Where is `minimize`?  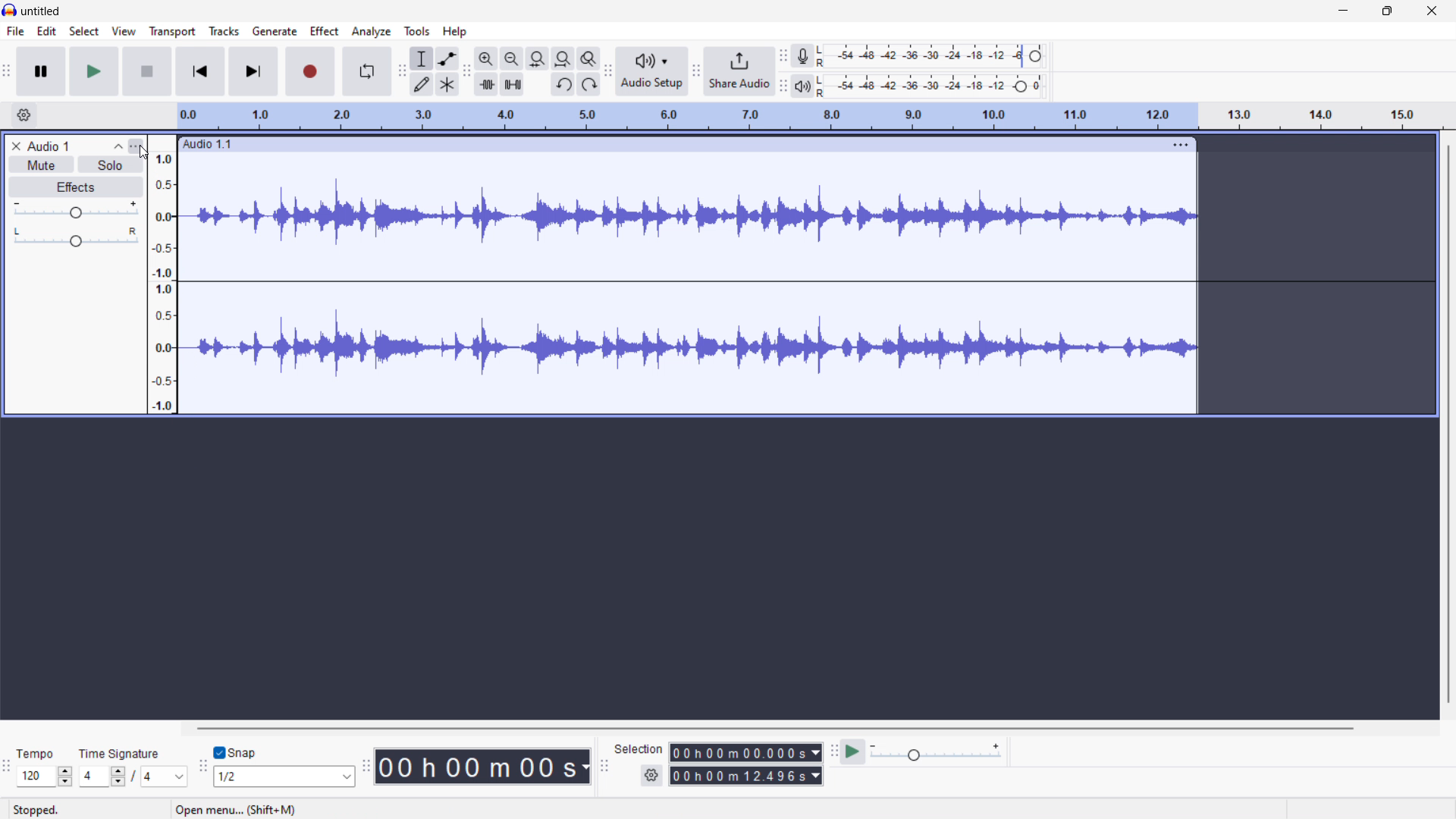
minimize is located at coordinates (1342, 11).